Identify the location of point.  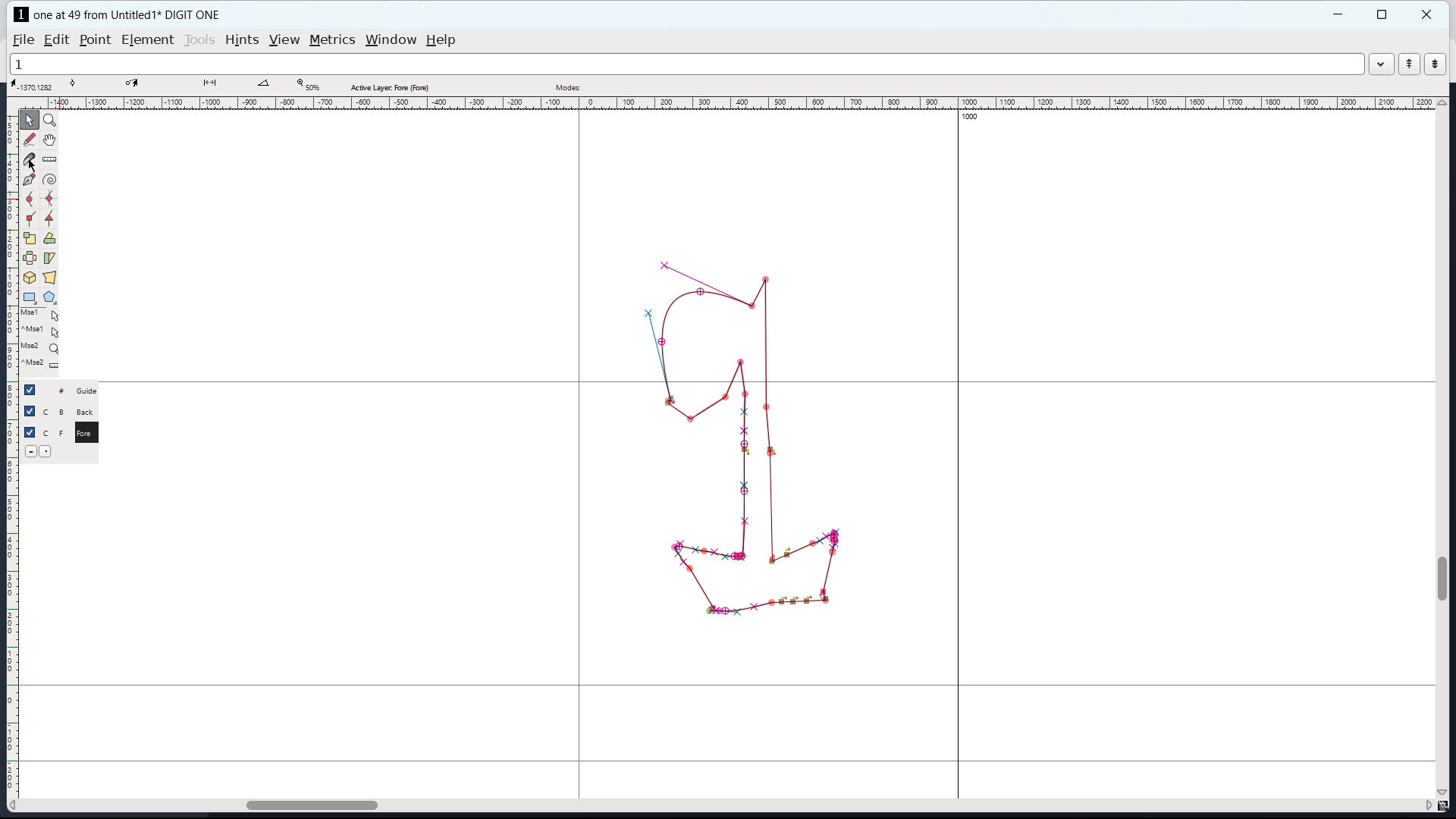
(96, 40).